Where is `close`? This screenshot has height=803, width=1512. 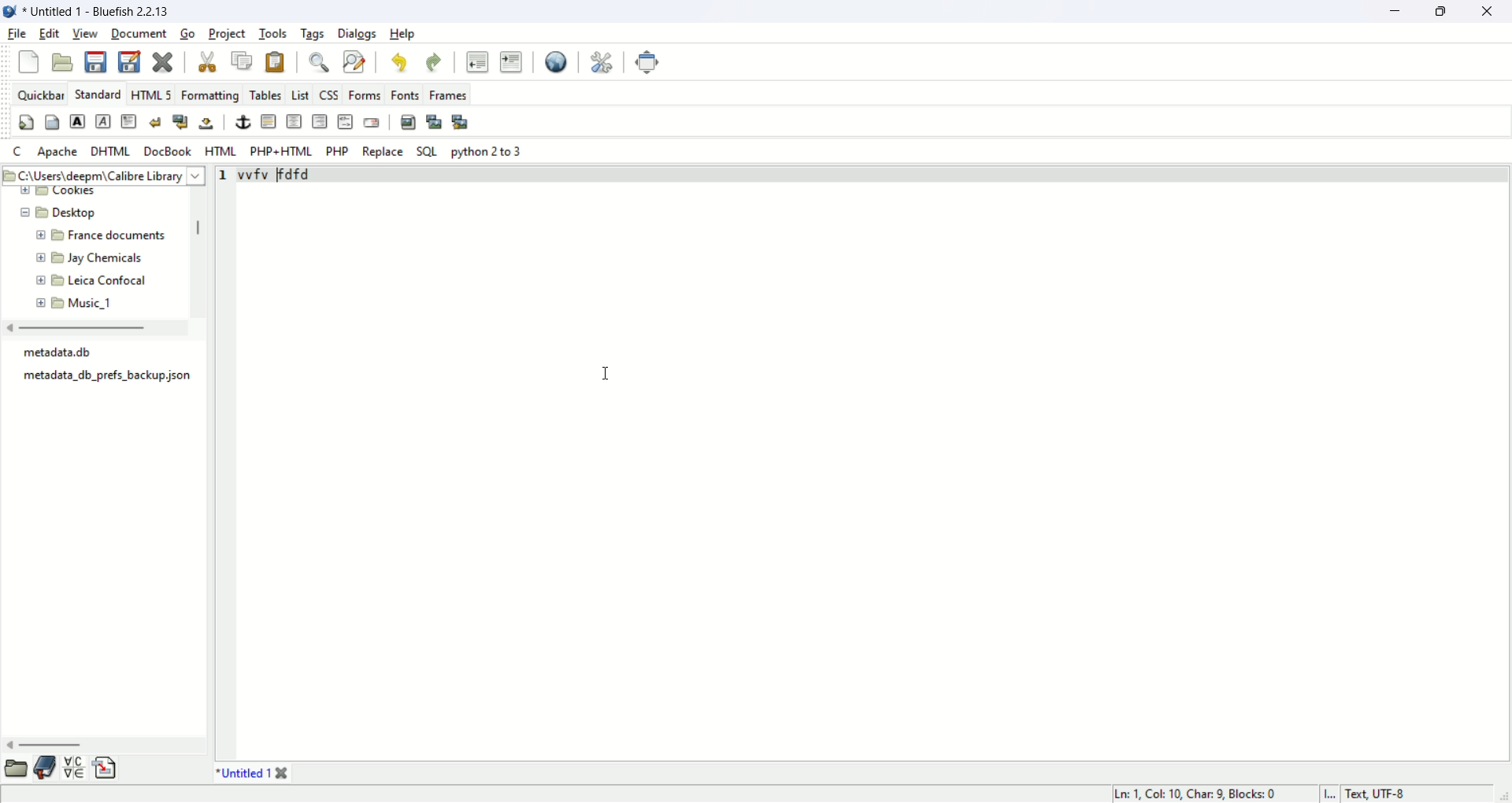 close is located at coordinates (1492, 11).